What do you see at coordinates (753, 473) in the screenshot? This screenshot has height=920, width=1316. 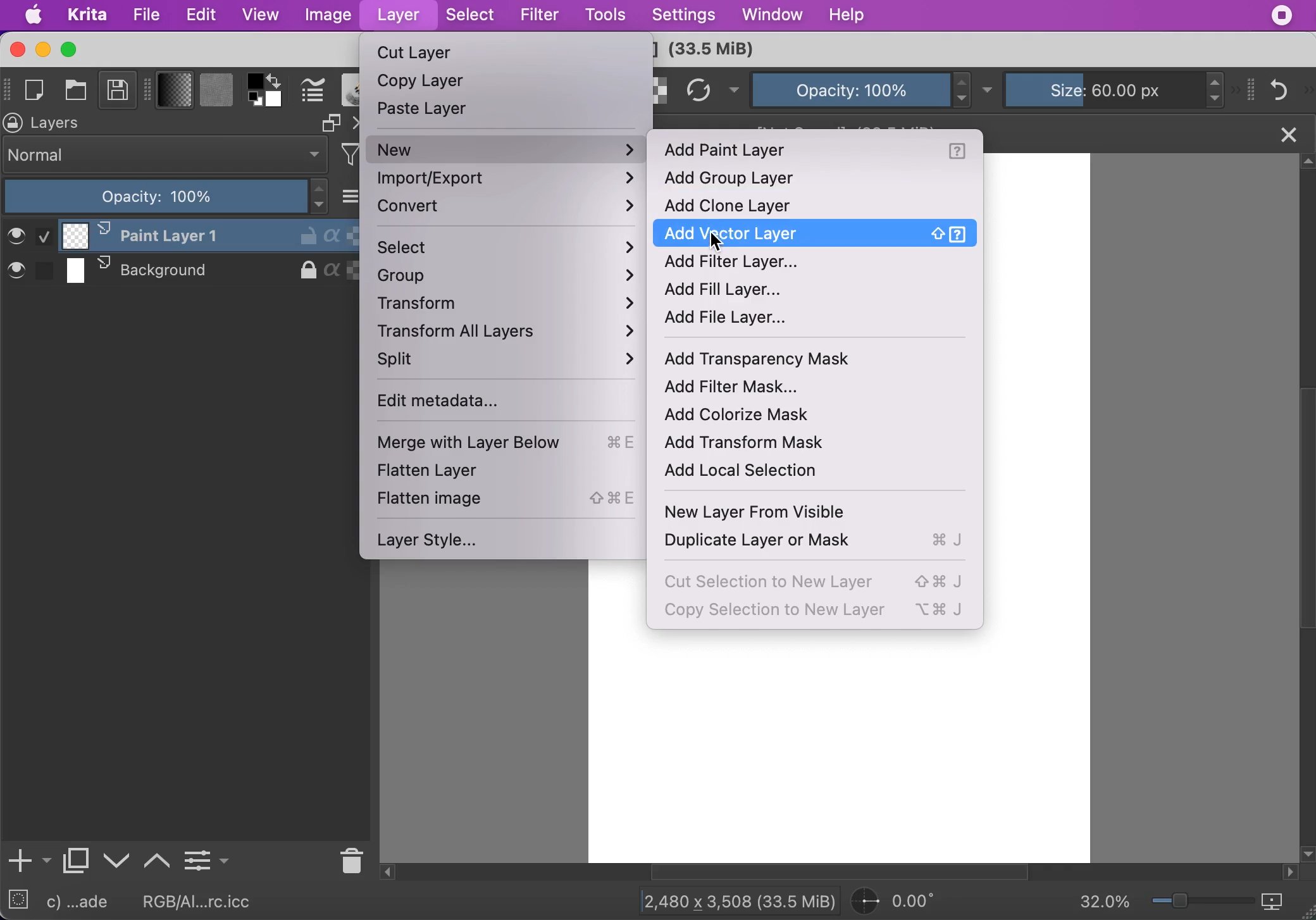 I see `add local selection` at bounding box center [753, 473].